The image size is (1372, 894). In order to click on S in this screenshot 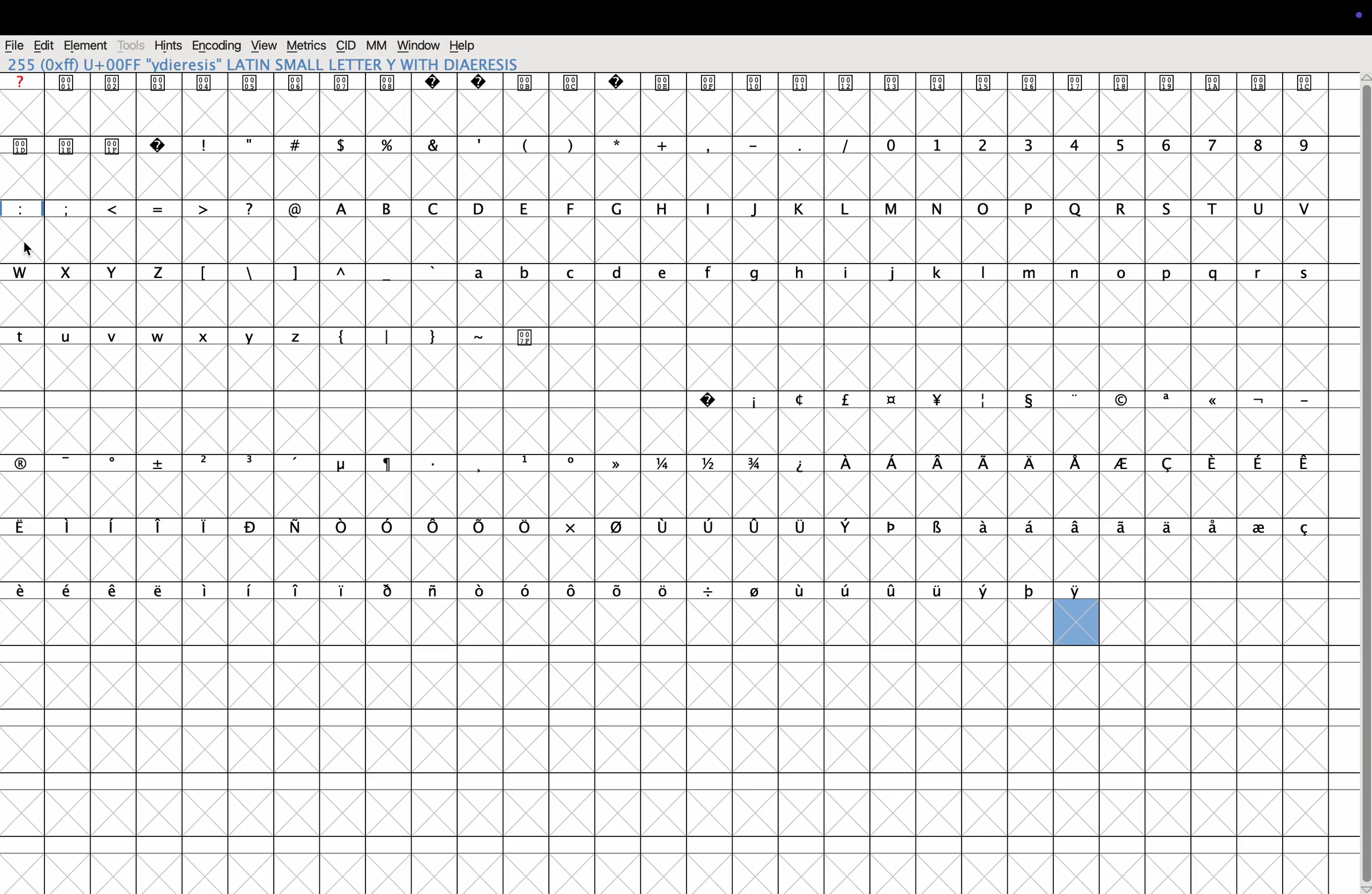, I will do `click(1171, 231)`.